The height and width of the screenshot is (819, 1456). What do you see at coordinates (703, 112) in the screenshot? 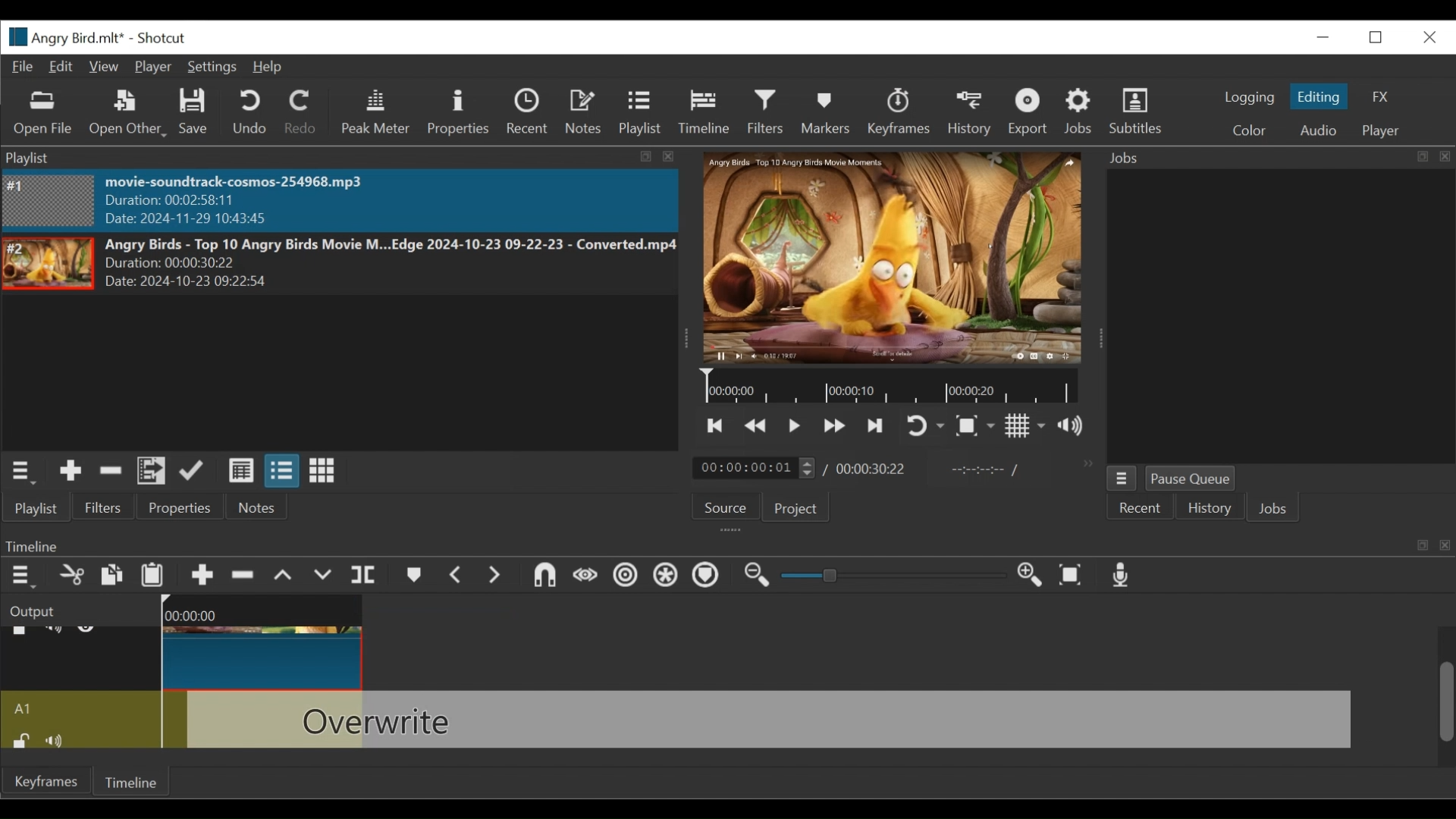
I see `Timeline` at bounding box center [703, 112].